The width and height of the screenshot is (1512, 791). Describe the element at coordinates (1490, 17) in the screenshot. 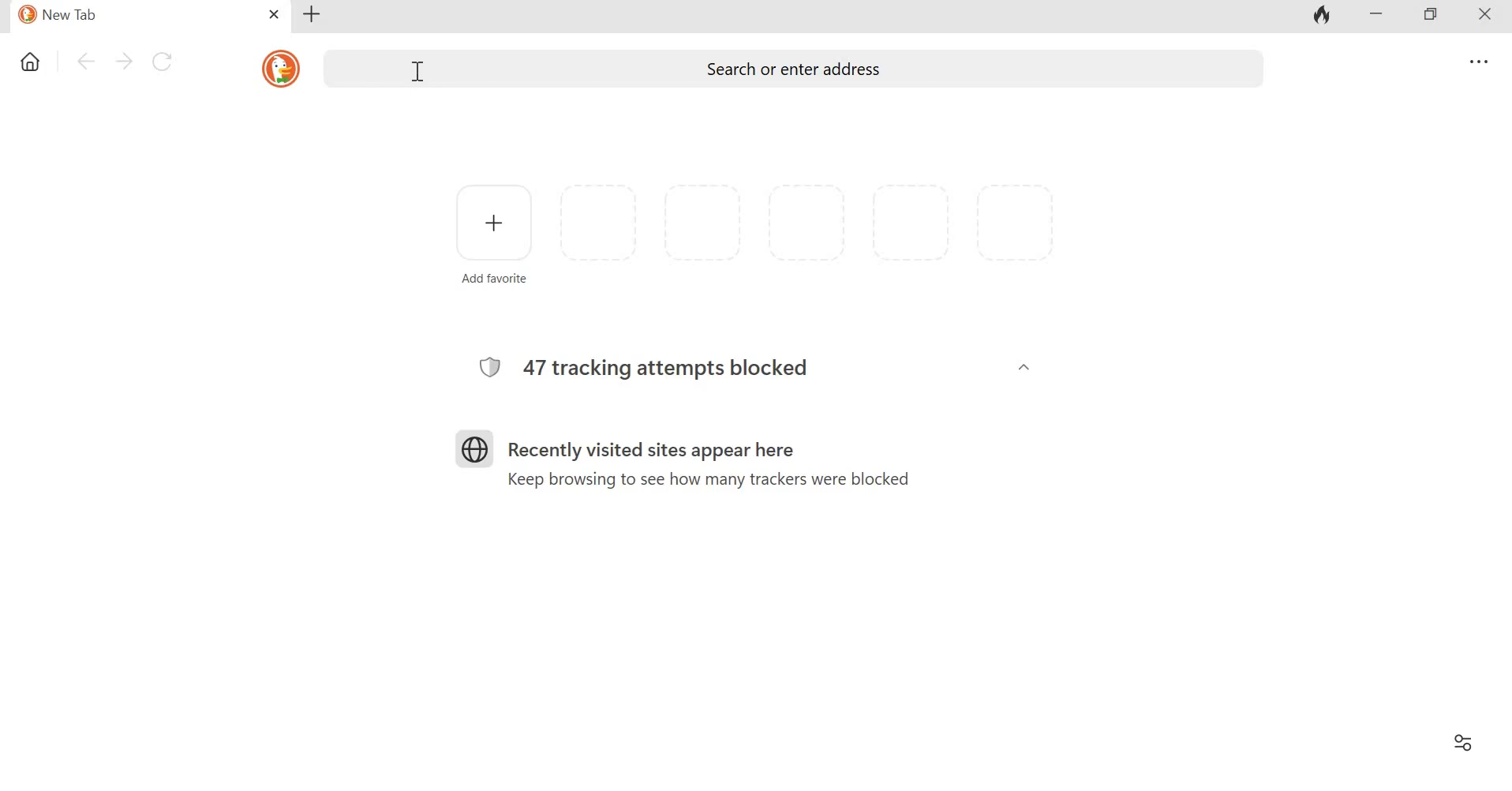

I see `close` at that location.